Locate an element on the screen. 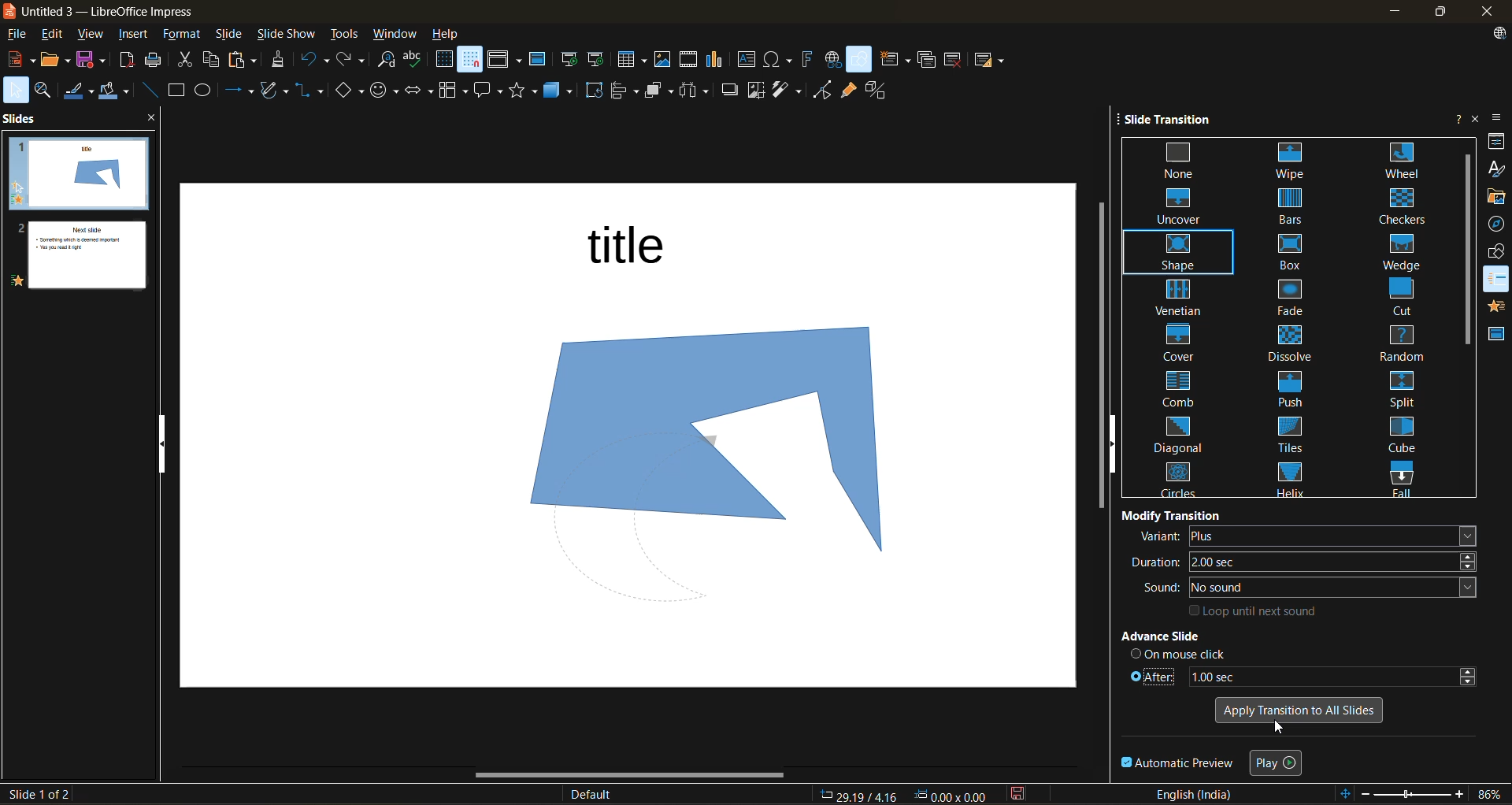 This screenshot has height=805, width=1512. insert chart is located at coordinates (721, 61).